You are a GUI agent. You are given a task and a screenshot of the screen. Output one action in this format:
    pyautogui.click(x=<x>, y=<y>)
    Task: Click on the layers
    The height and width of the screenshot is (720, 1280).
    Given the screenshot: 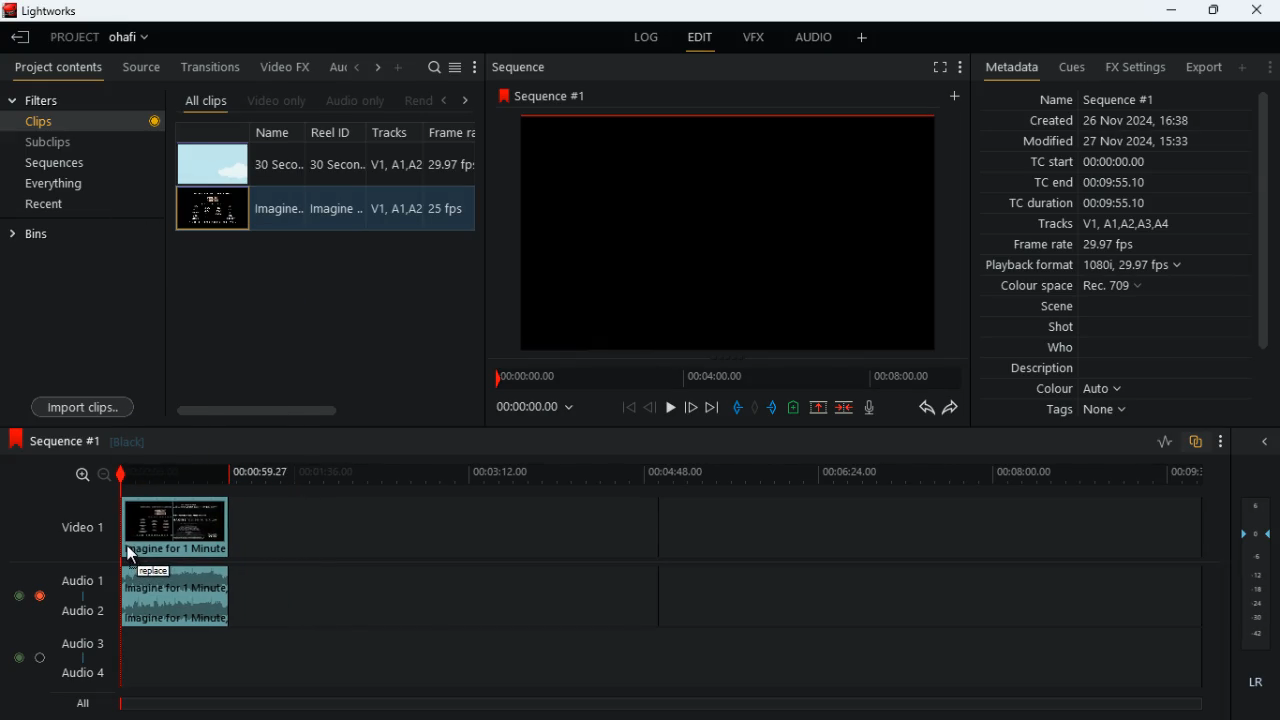 What is the action you would take?
    pyautogui.click(x=1260, y=575)
    